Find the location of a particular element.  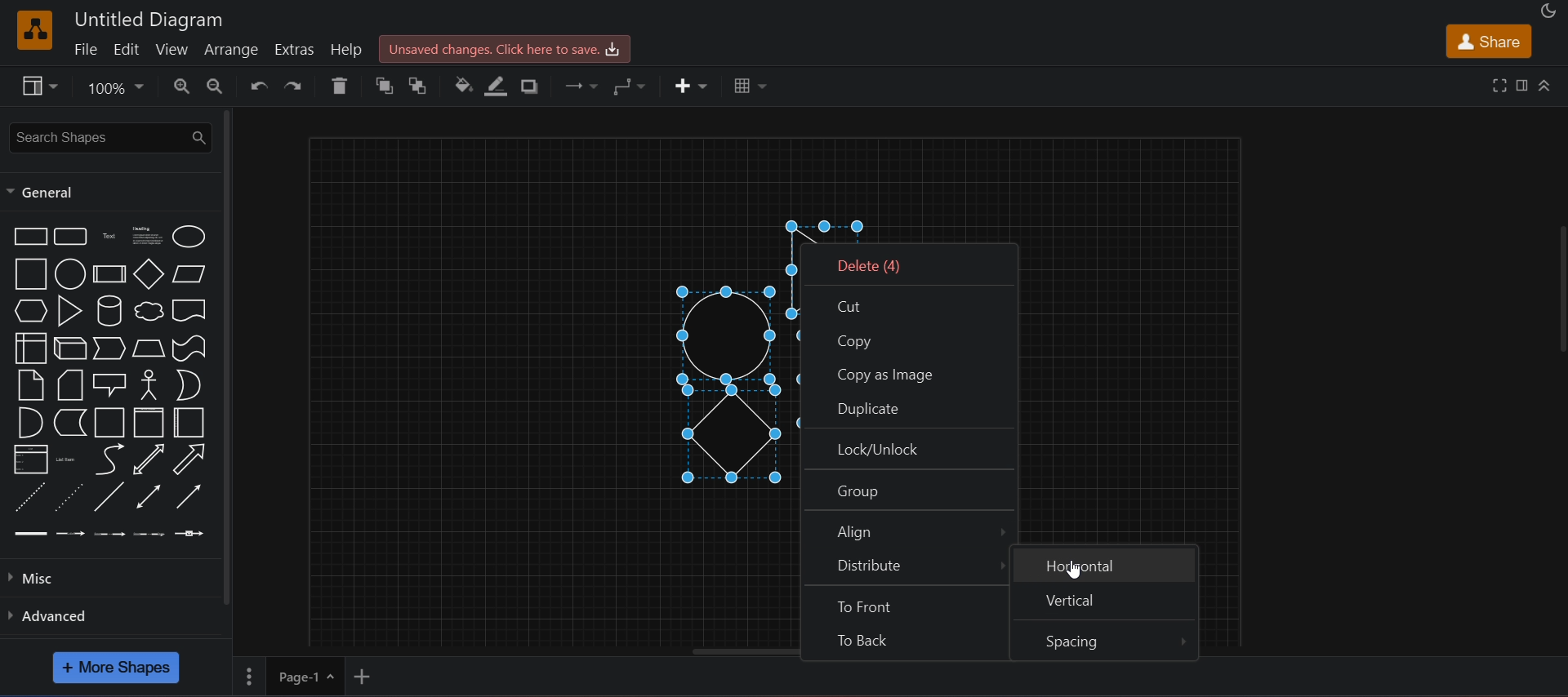

page 1  is located at coordinates (287, 674).